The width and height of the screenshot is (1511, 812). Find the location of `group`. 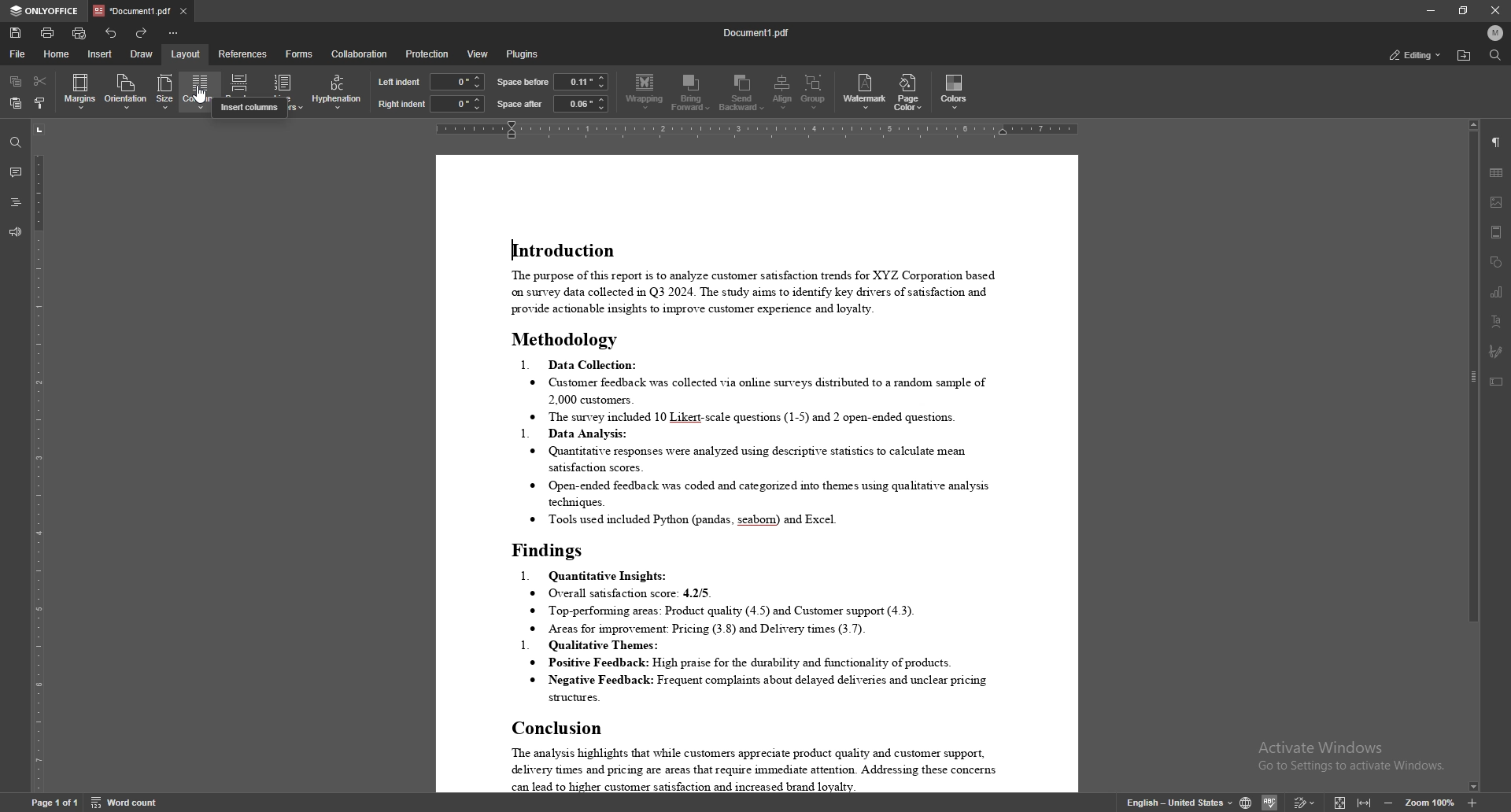

group is located at coordinates (815, 93).